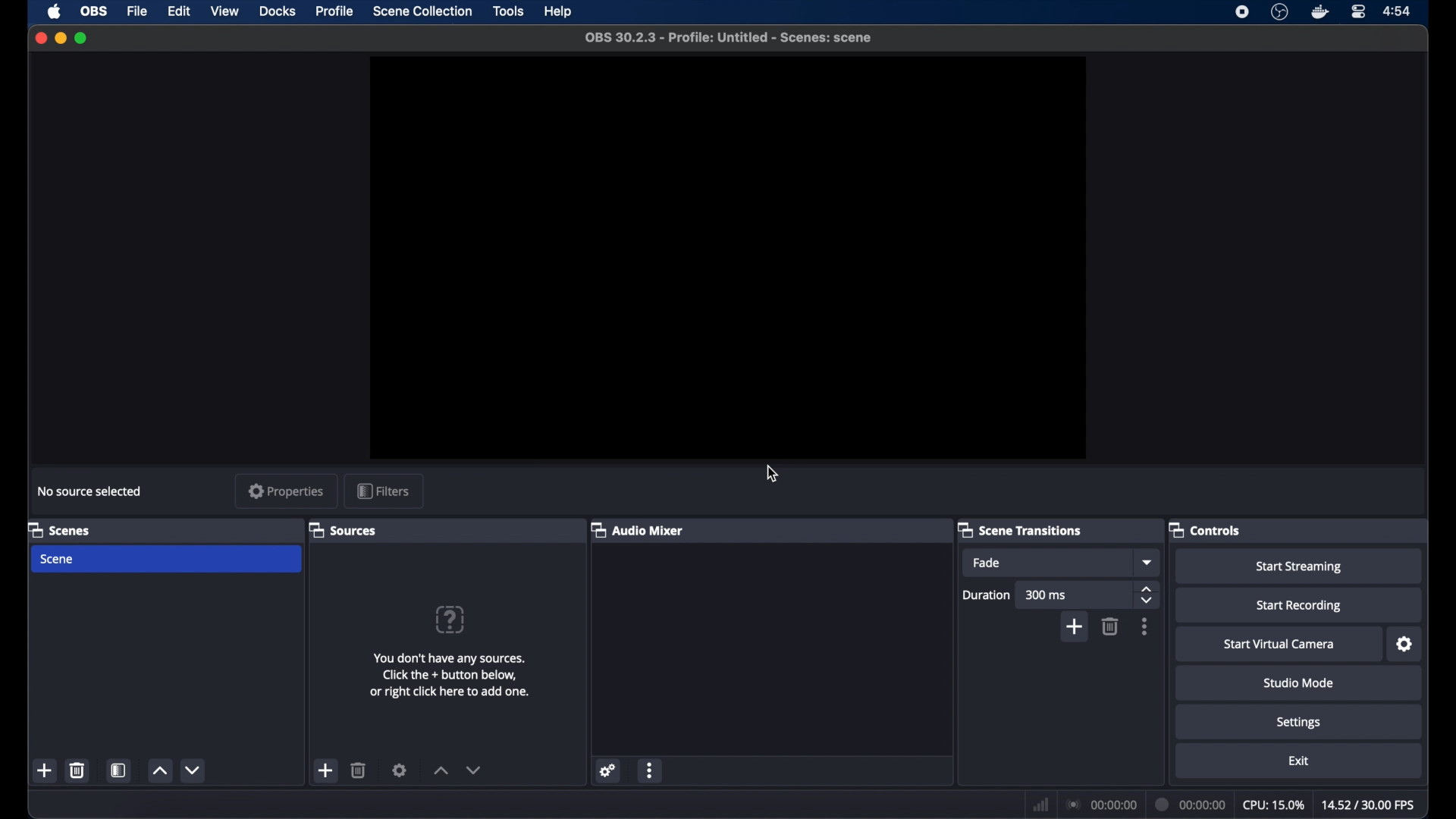 The image size is (1456, 819). I want to click on edit, so click(179, 12).